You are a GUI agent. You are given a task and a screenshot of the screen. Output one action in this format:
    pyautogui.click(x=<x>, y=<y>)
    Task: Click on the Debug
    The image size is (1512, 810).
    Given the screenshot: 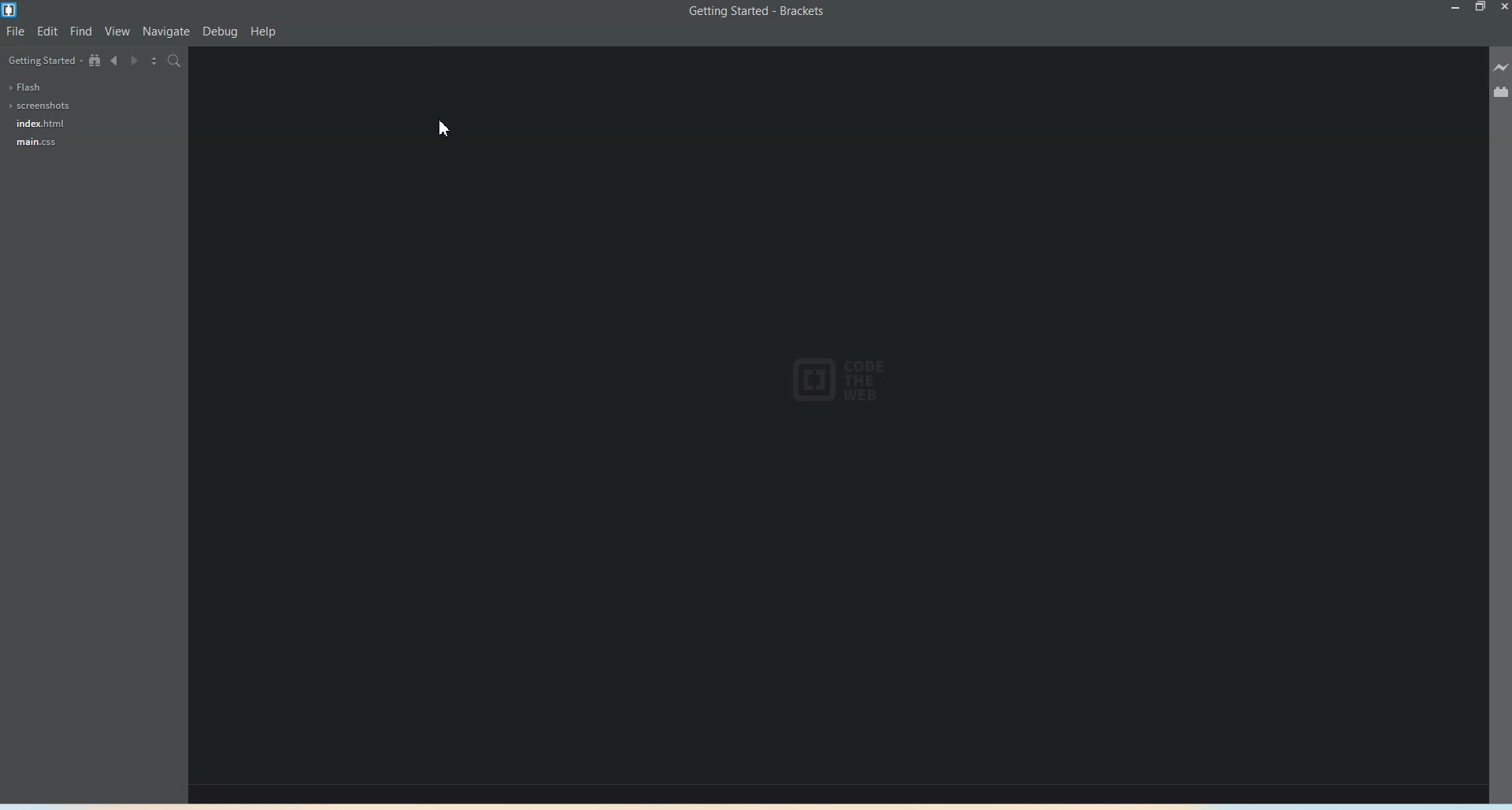 What is the action you would take?
    pyautogui.click(x=220, y=32)
    